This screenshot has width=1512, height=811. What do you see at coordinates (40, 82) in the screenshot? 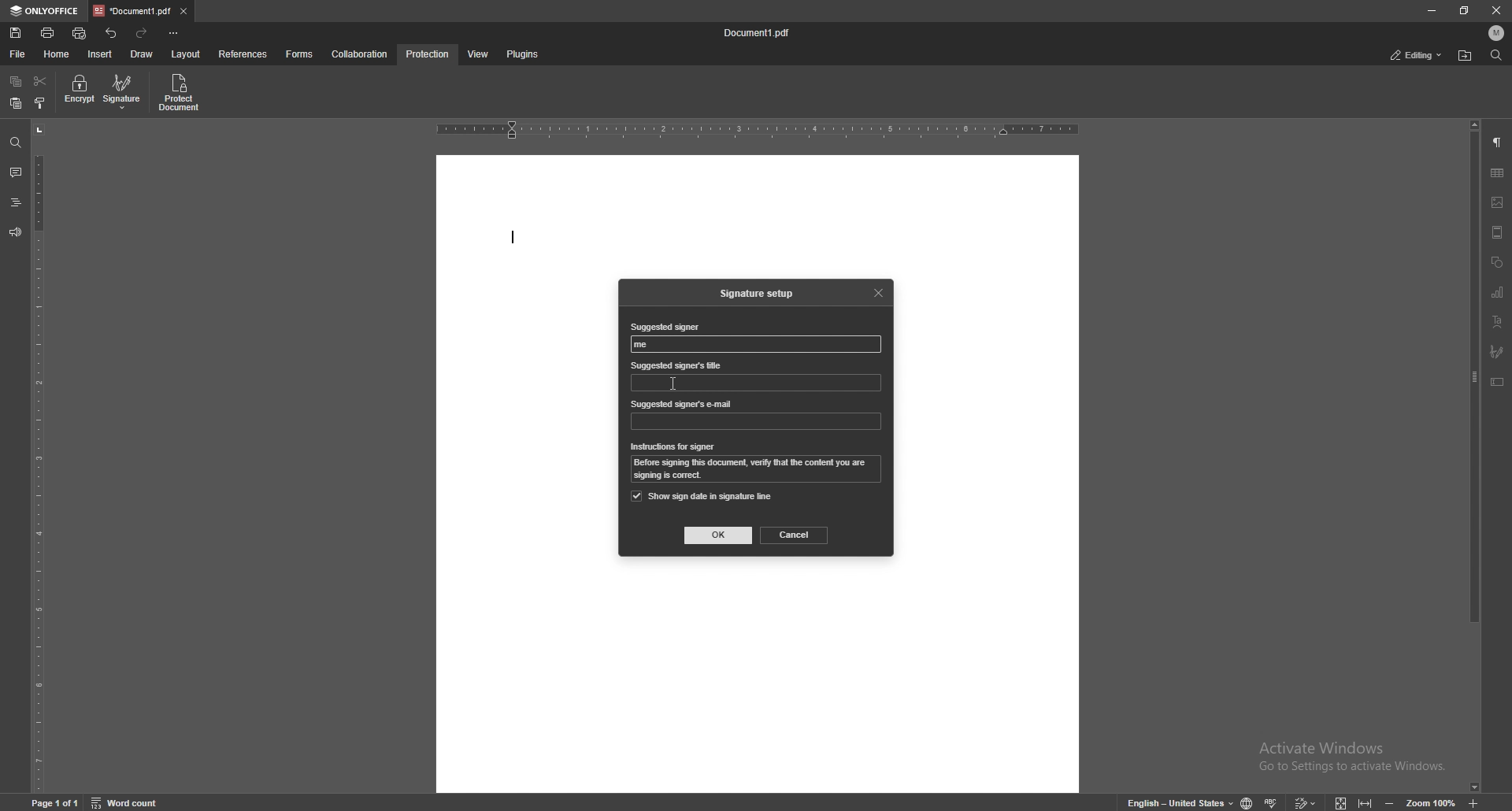
I see `cut` at bounding box center [40, 82].